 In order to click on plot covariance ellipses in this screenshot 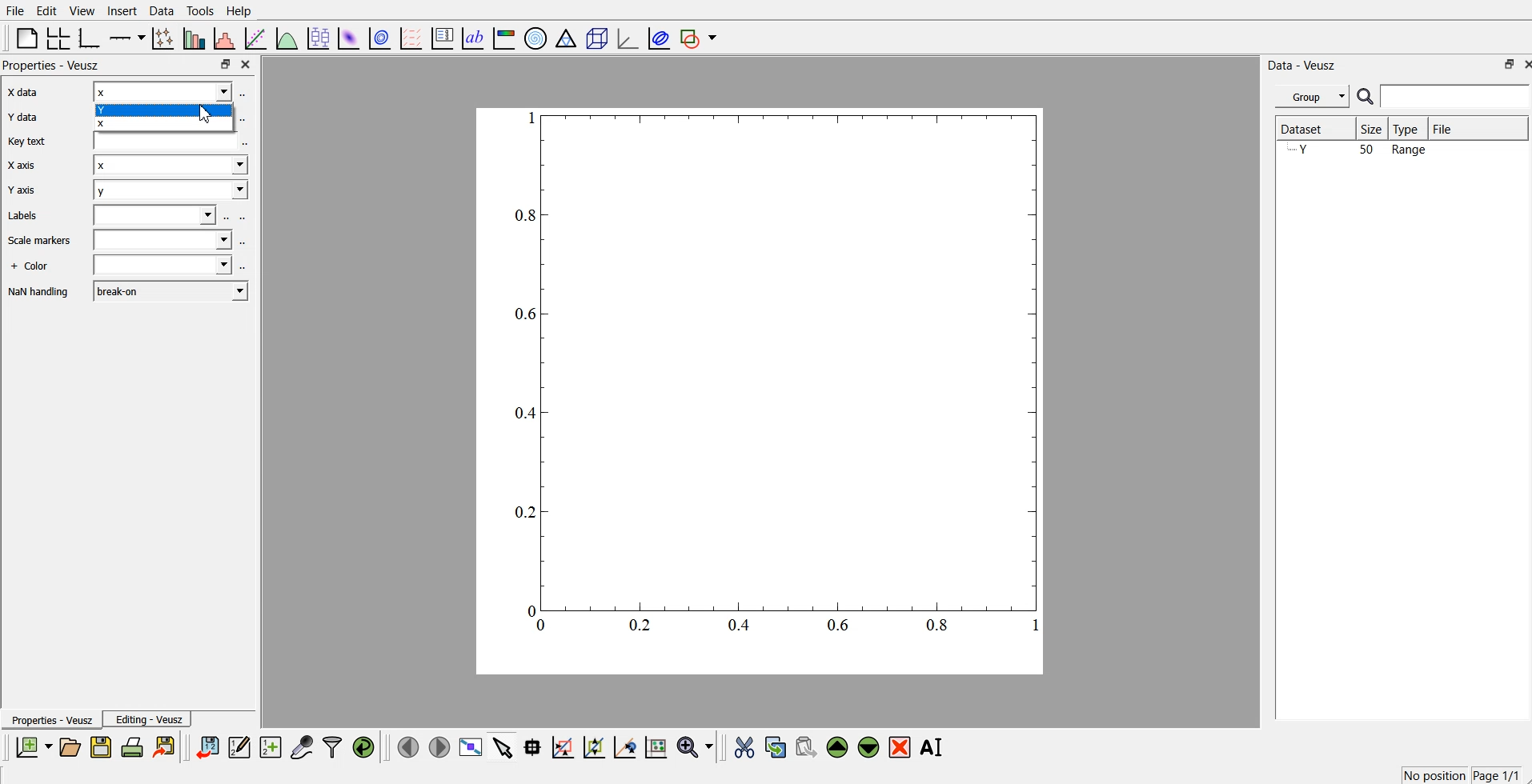, I will do `click(658, 37)`.